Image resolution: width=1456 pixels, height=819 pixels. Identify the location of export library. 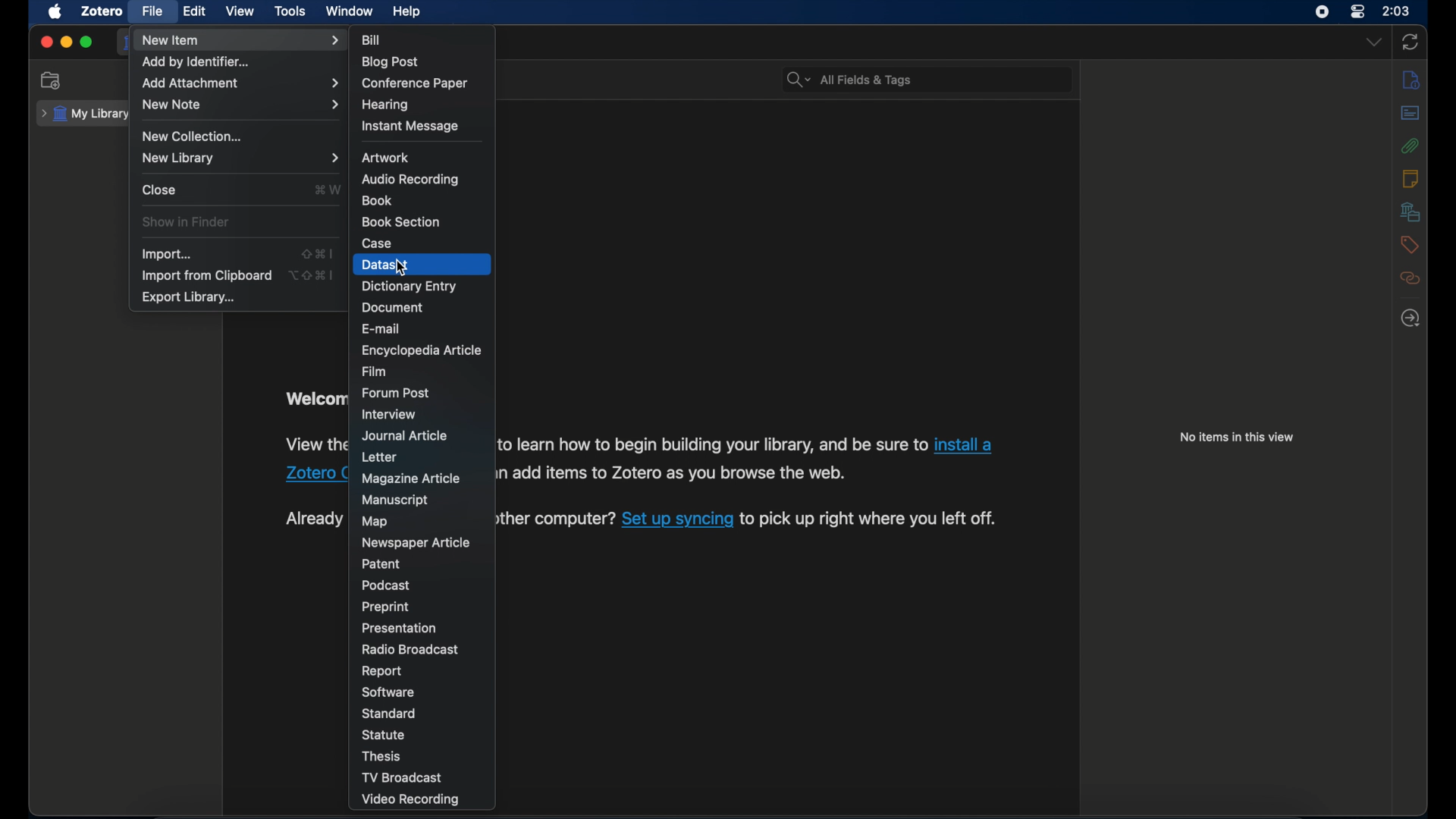
(187, 297).